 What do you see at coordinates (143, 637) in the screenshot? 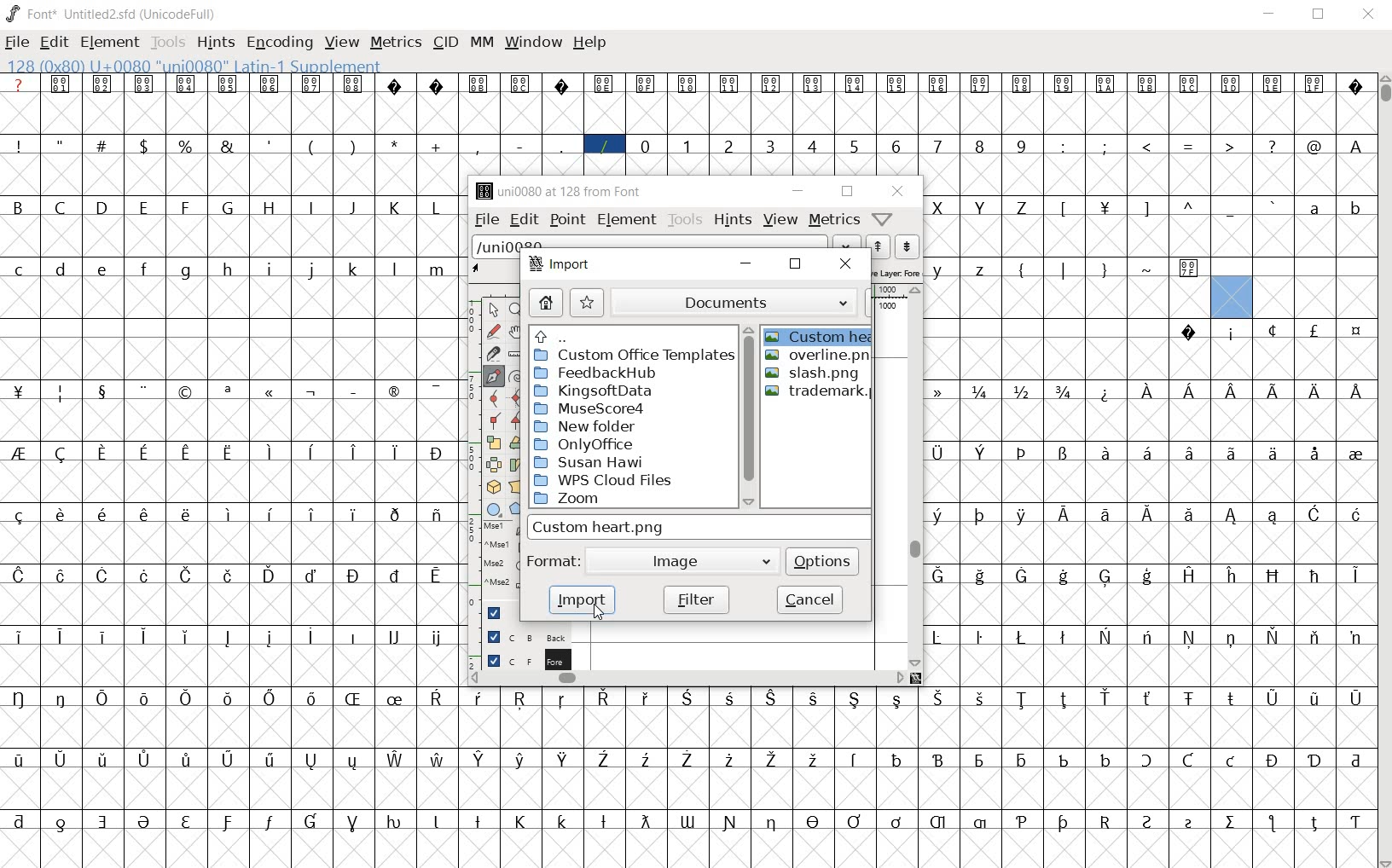
I see `glyph` at bounding box center [143, 637].